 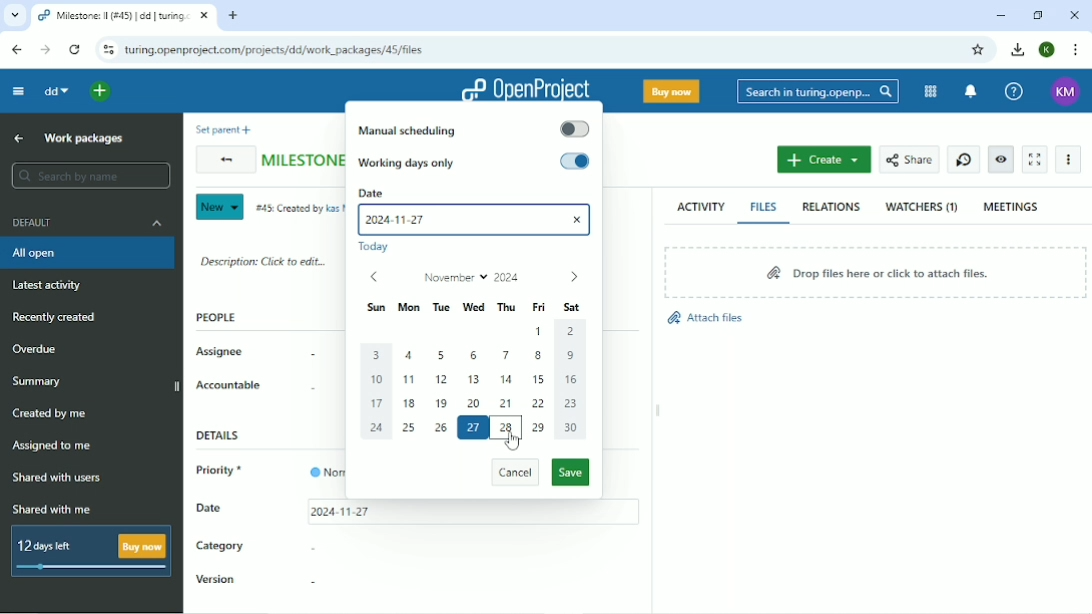 I want to click on dates in November 2024, so click(x=474, y=382).